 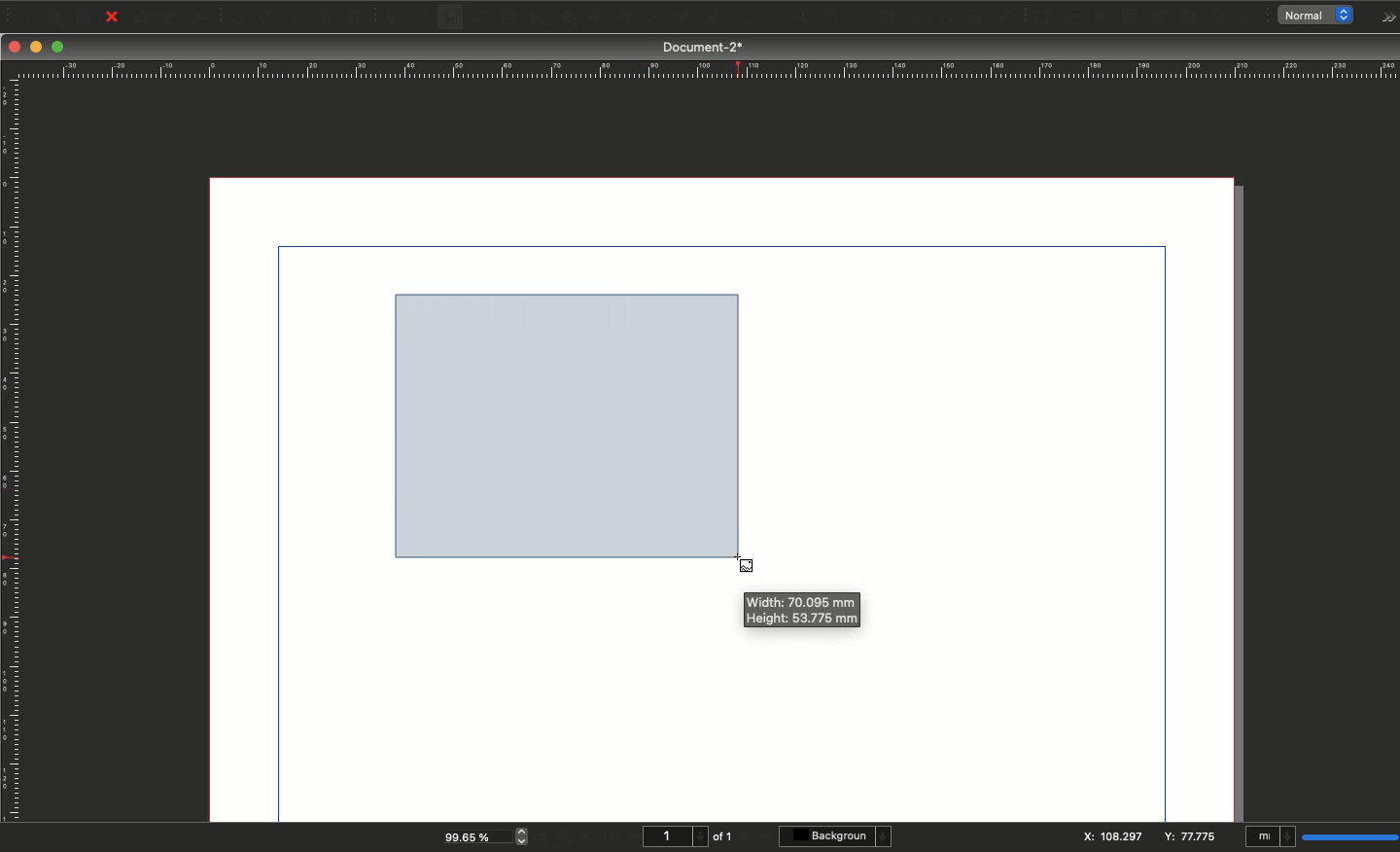 What do you see at coordinates (567, 18) in the screenshot?
I see `Polygon` at bounding box center [567, 18].